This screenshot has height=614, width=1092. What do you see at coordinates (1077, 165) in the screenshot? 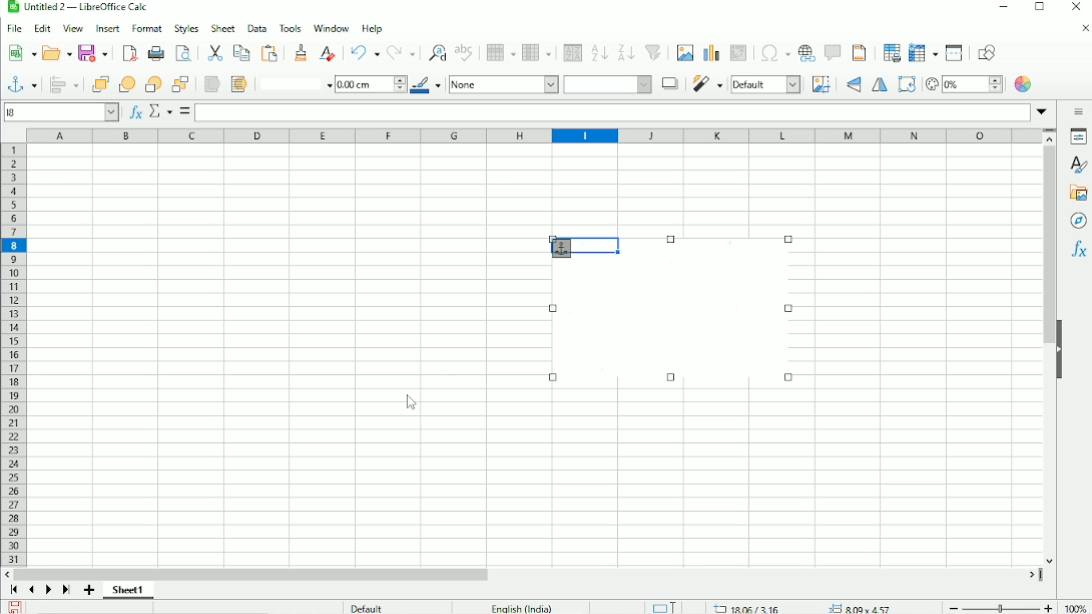
I see `Styles` at bounding box center [1077, 165].